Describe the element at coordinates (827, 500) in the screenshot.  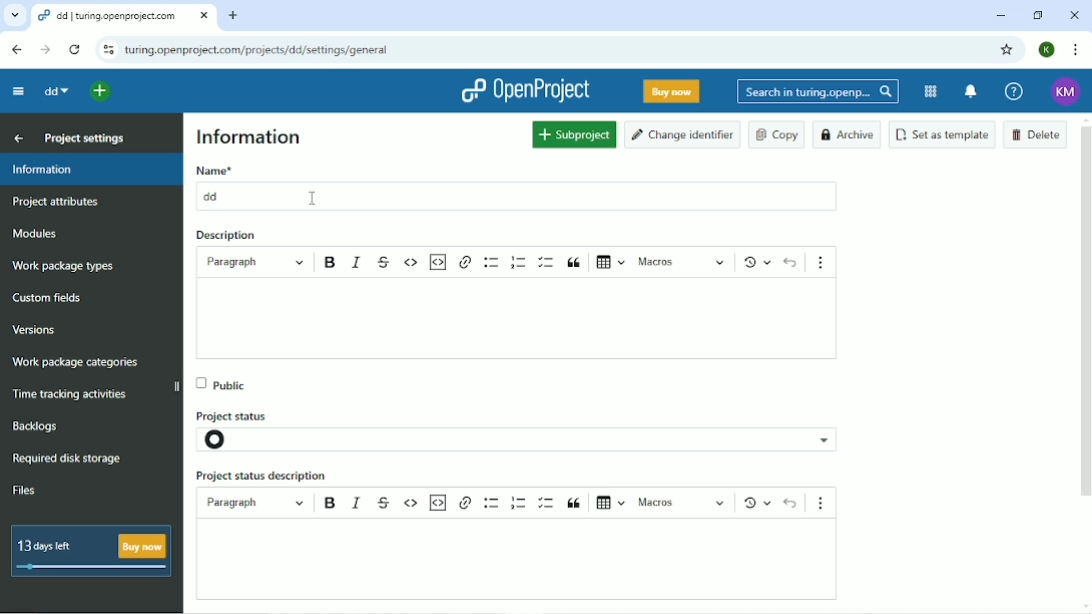
I see `show more items` at that location.